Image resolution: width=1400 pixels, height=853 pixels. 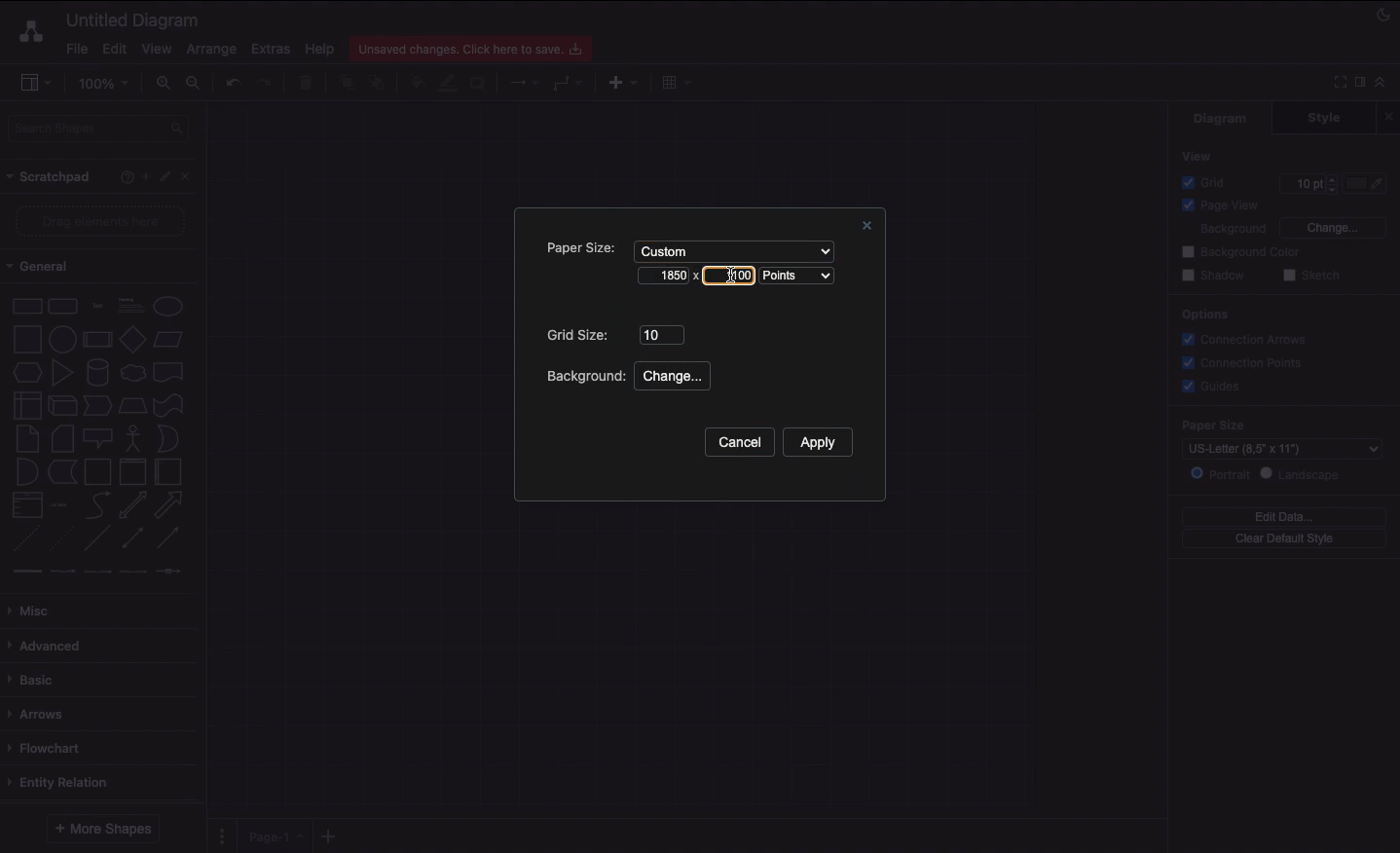 I want to click on File, so click(x=75, y=49).